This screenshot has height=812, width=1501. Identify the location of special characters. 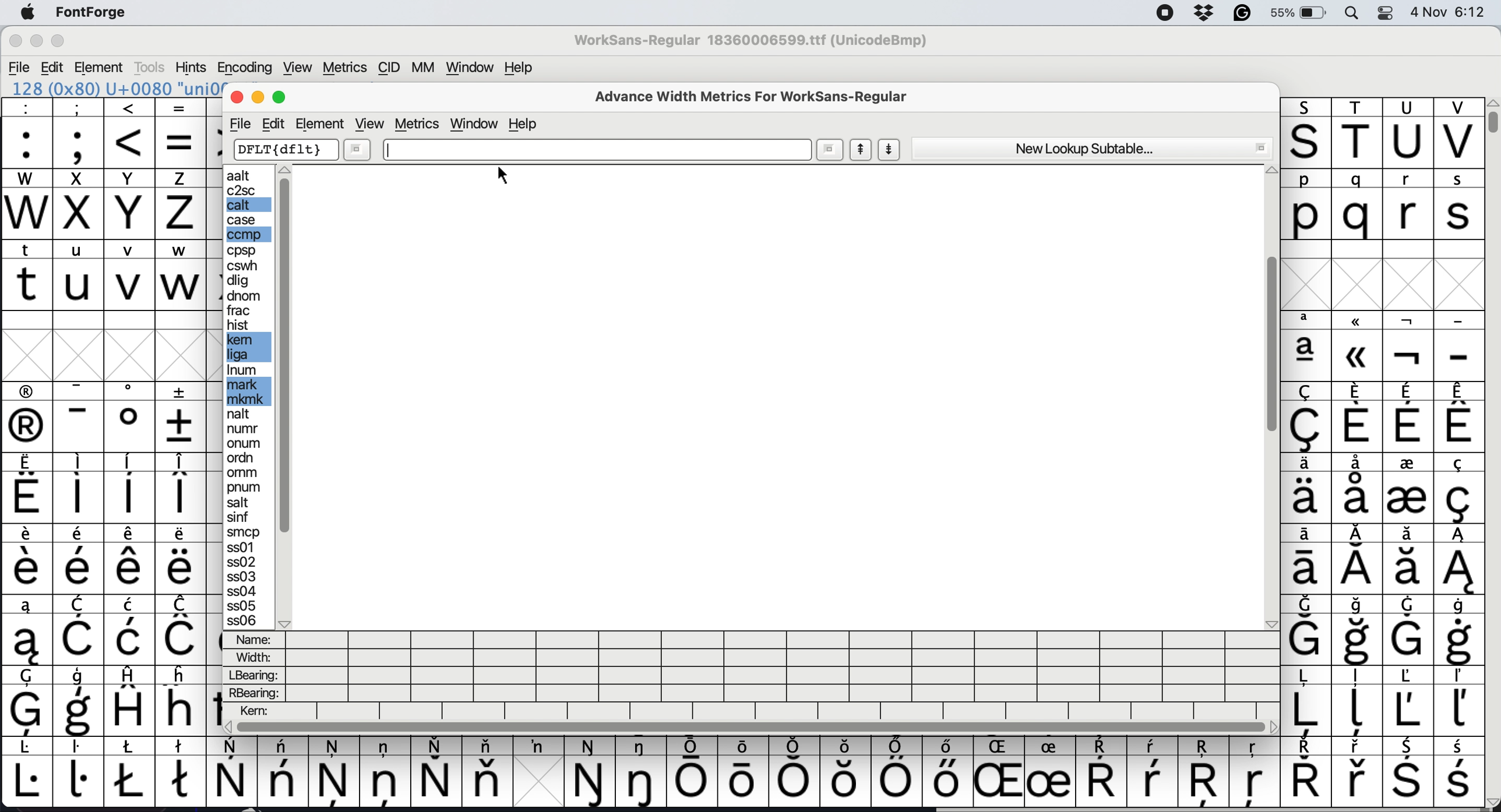
(741, 746).